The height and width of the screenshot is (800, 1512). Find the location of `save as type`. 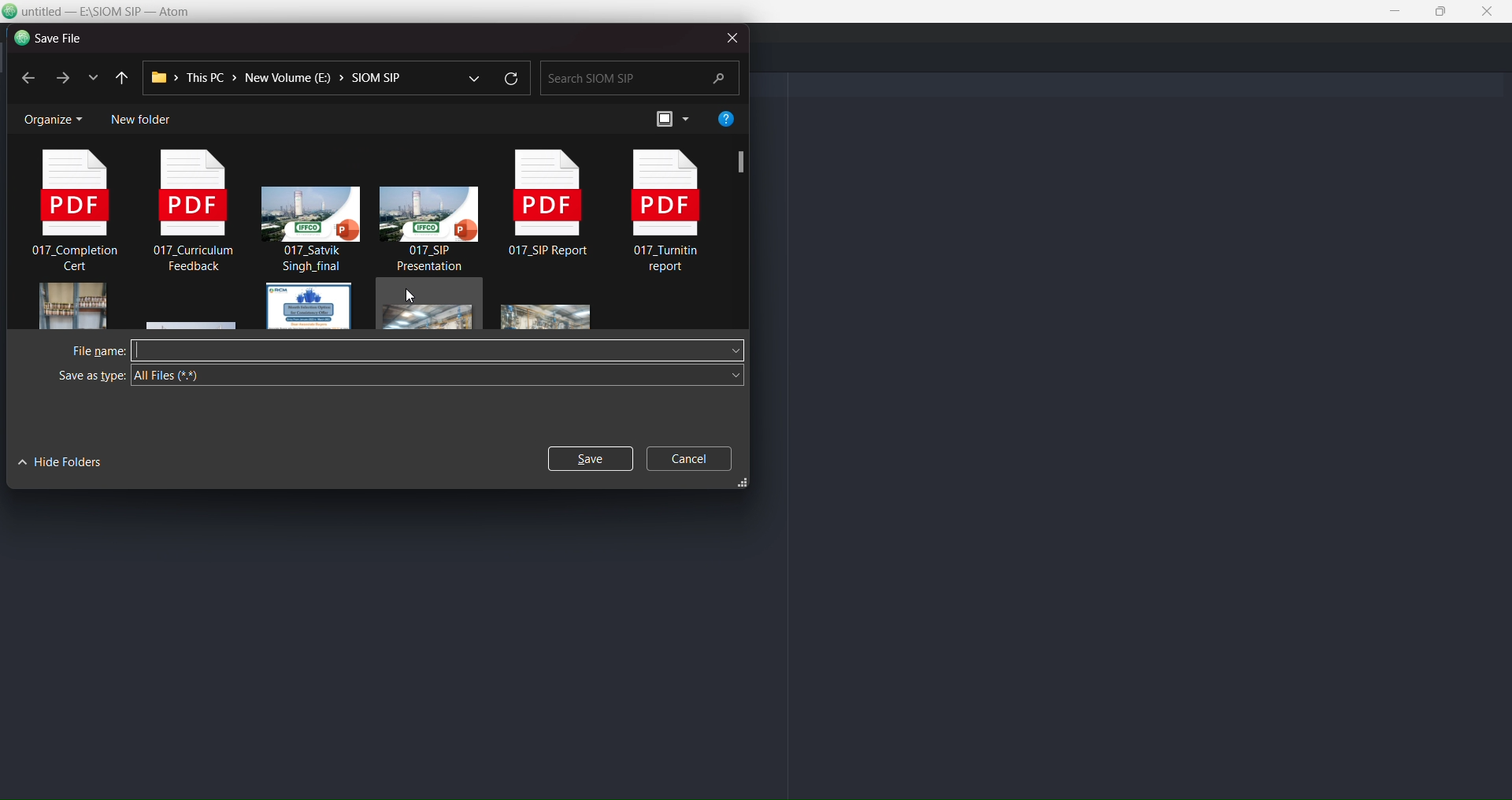

save as type is located at coordinates (87, 376).